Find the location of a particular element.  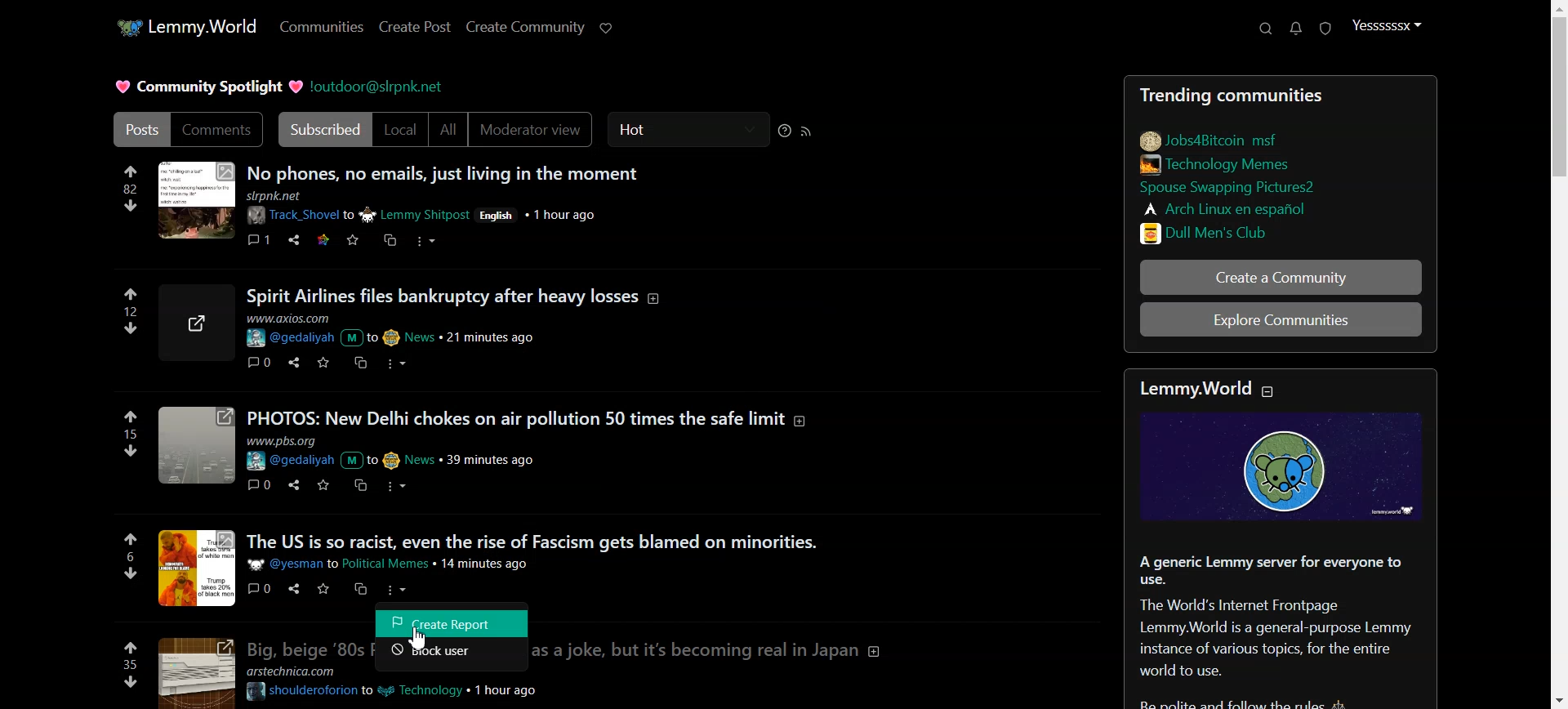

Vertical scroll bar is located at coordinates (1558, 354).